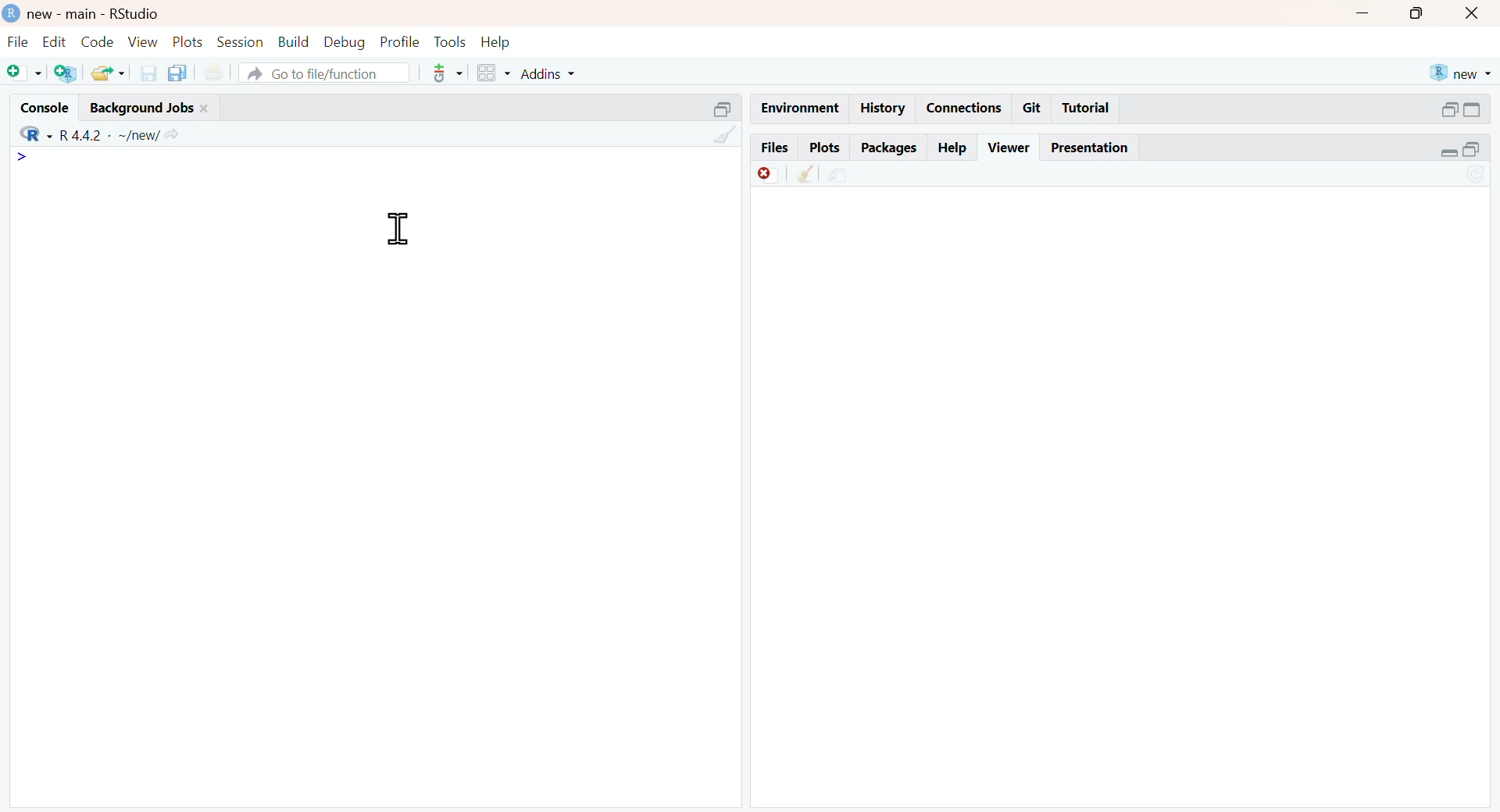  Describe the element at coordinates (1033, 107) in the screenshot. I see `Git` at that location.